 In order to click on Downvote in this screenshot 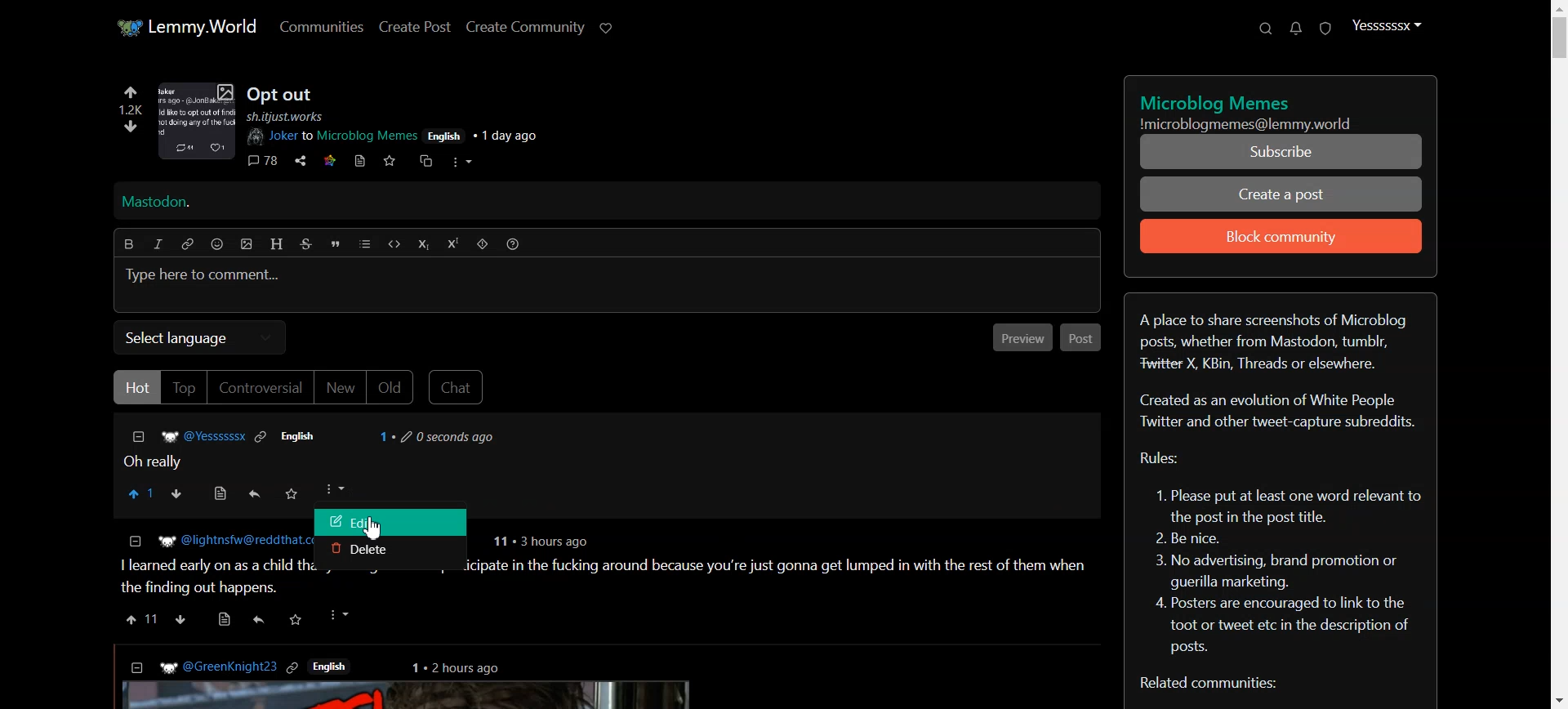, I will do `click(180, 493)`.